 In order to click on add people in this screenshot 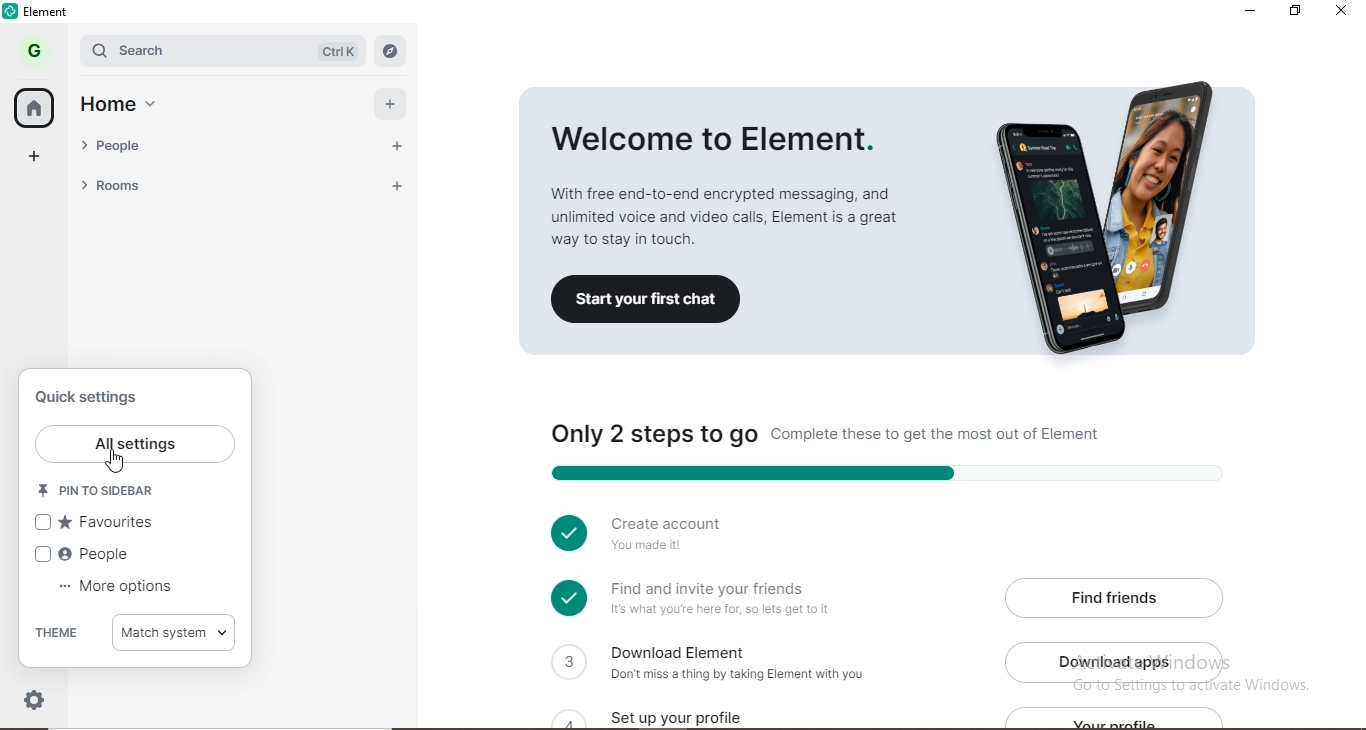, I will do `click(392, 144)`.